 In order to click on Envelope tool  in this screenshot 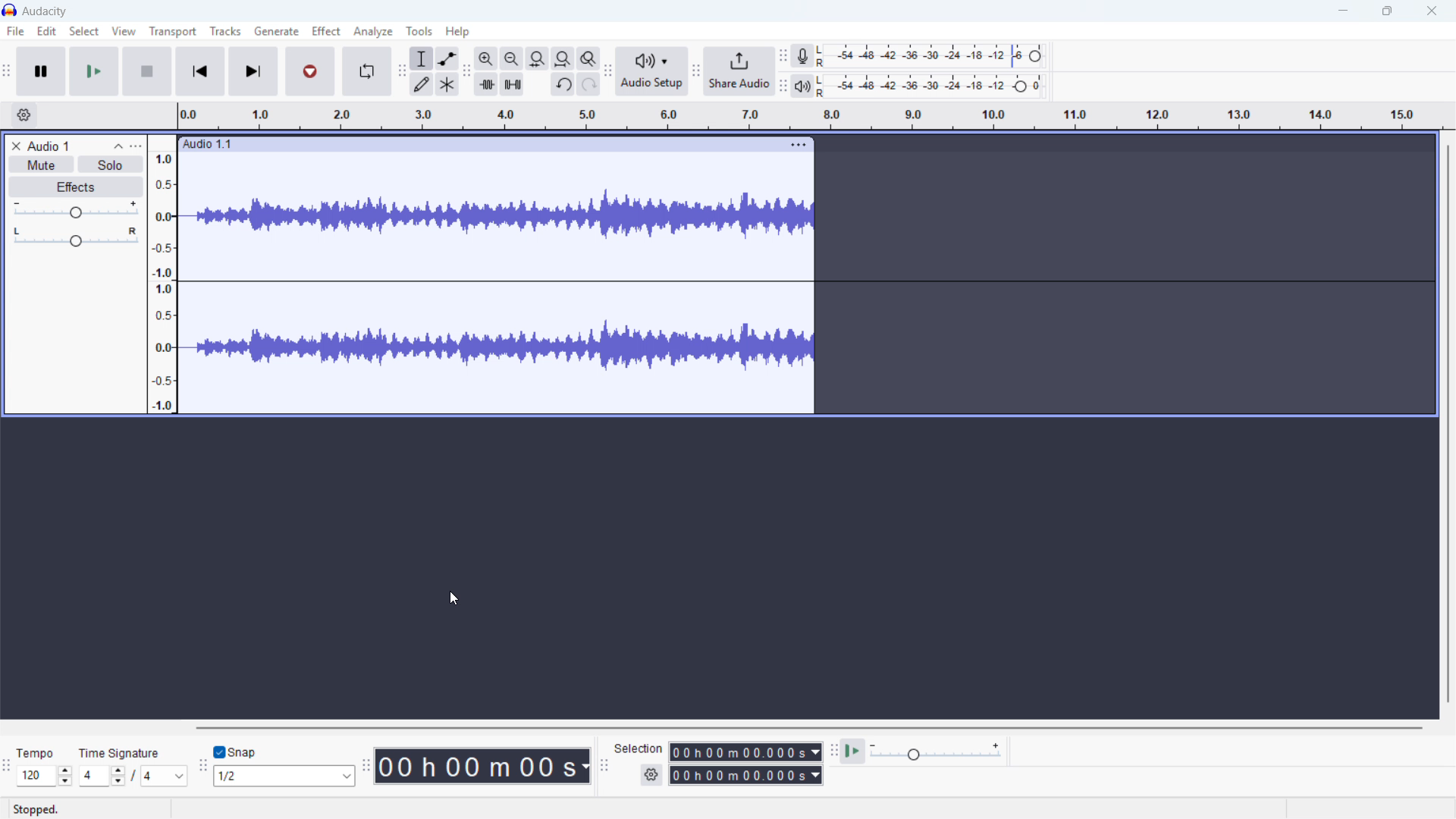, I will do `click(447, 58)`.